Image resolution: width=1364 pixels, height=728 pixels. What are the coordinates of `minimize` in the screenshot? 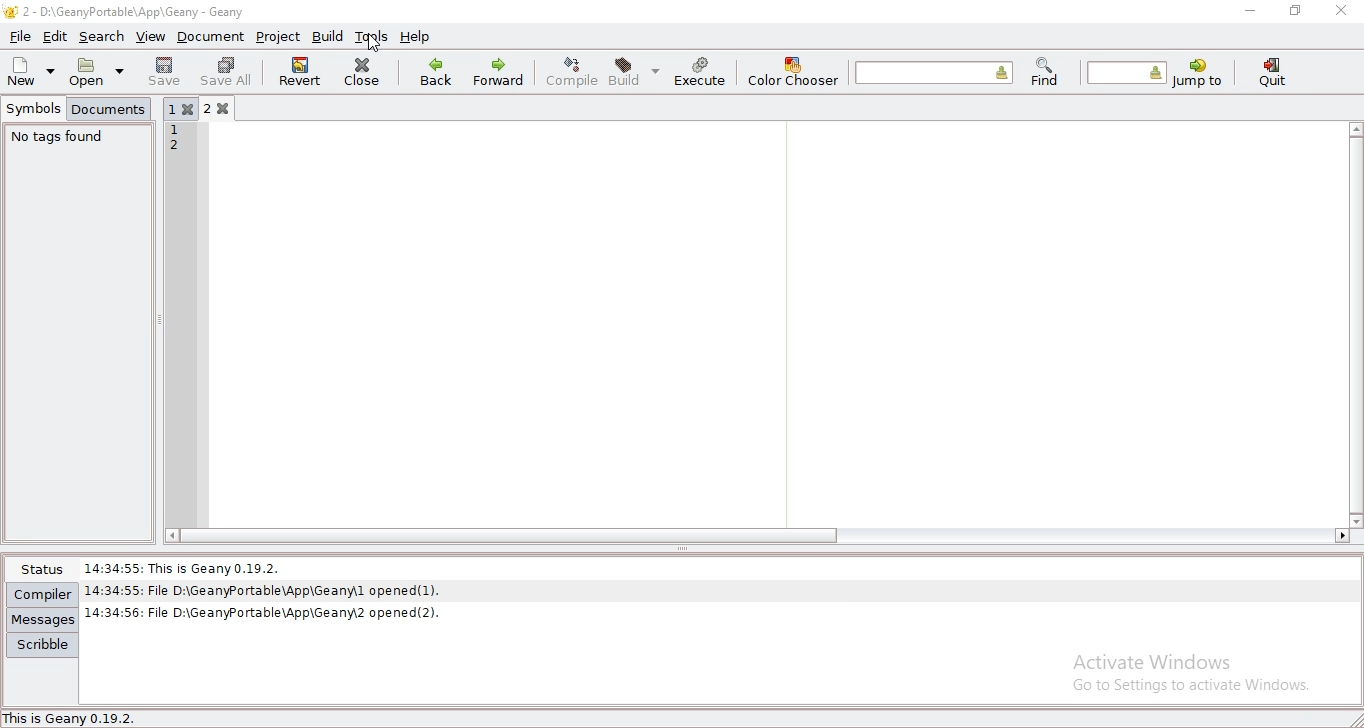 It's located at (1250, 11).